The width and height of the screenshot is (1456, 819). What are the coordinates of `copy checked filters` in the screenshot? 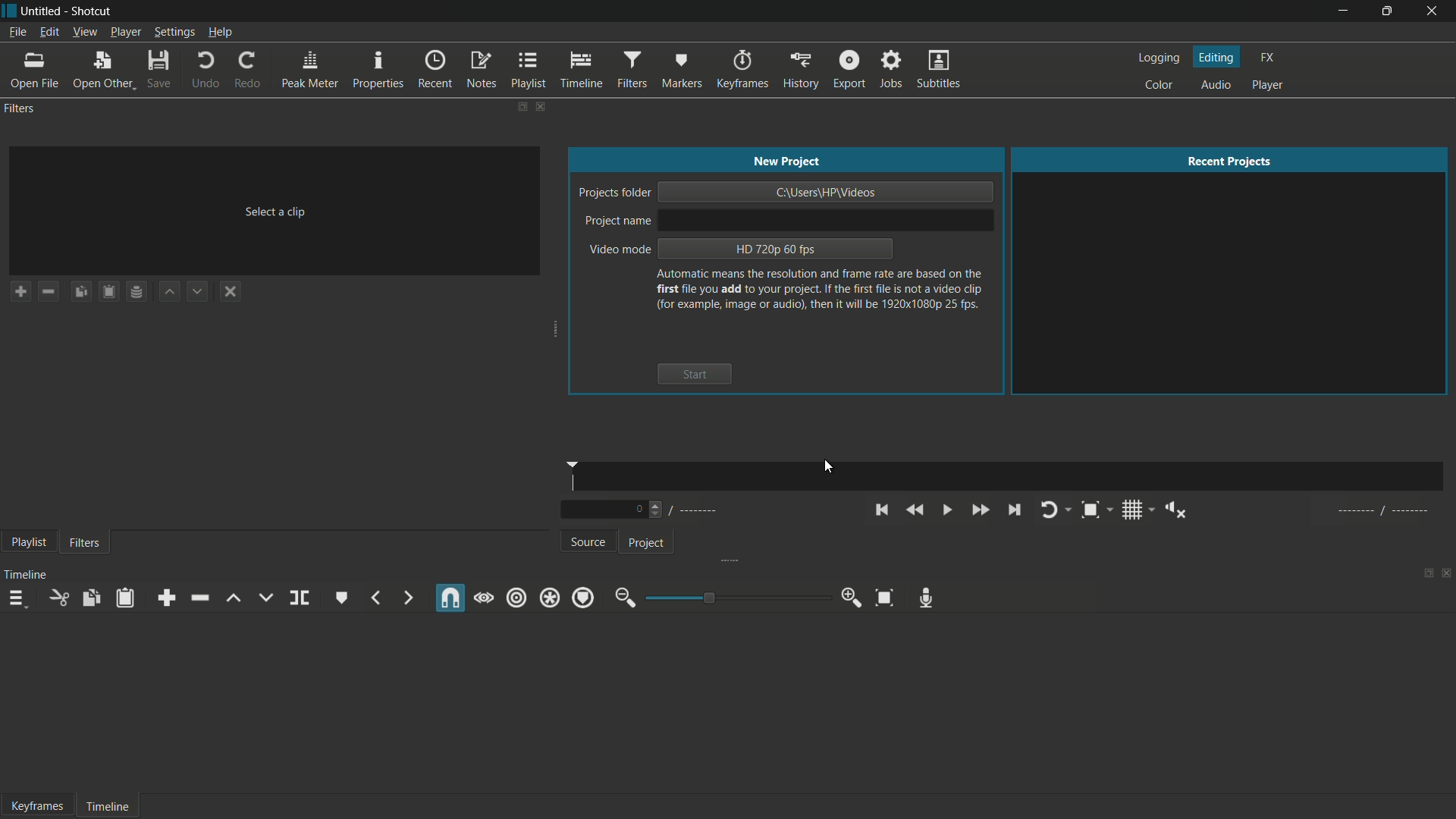 It's located at (81, 292).